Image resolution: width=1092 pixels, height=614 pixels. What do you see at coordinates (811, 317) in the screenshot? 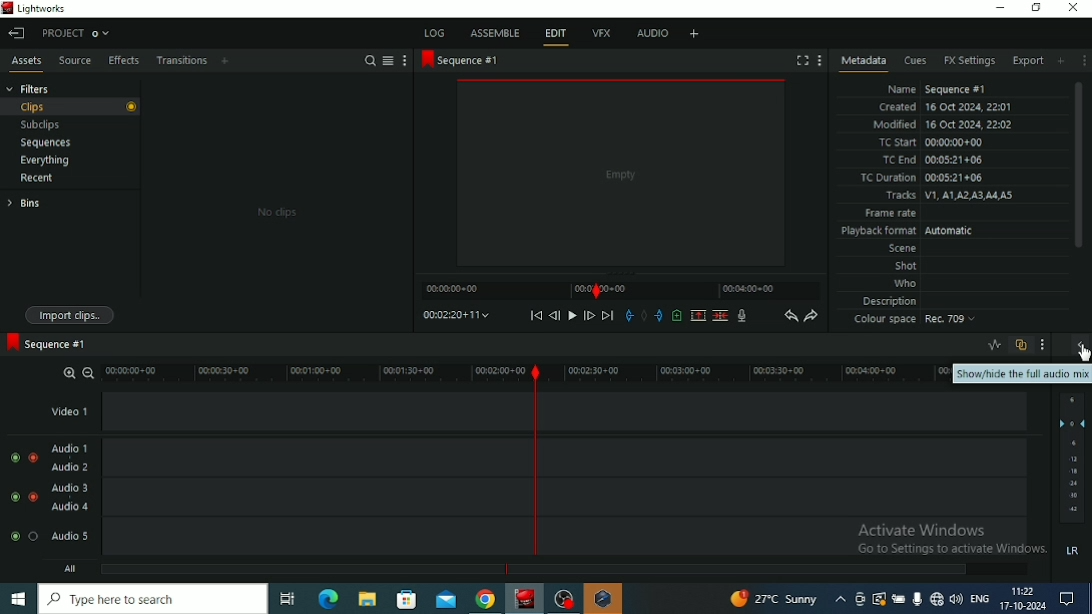
I see `Redo` at bounding box center [811, 317].